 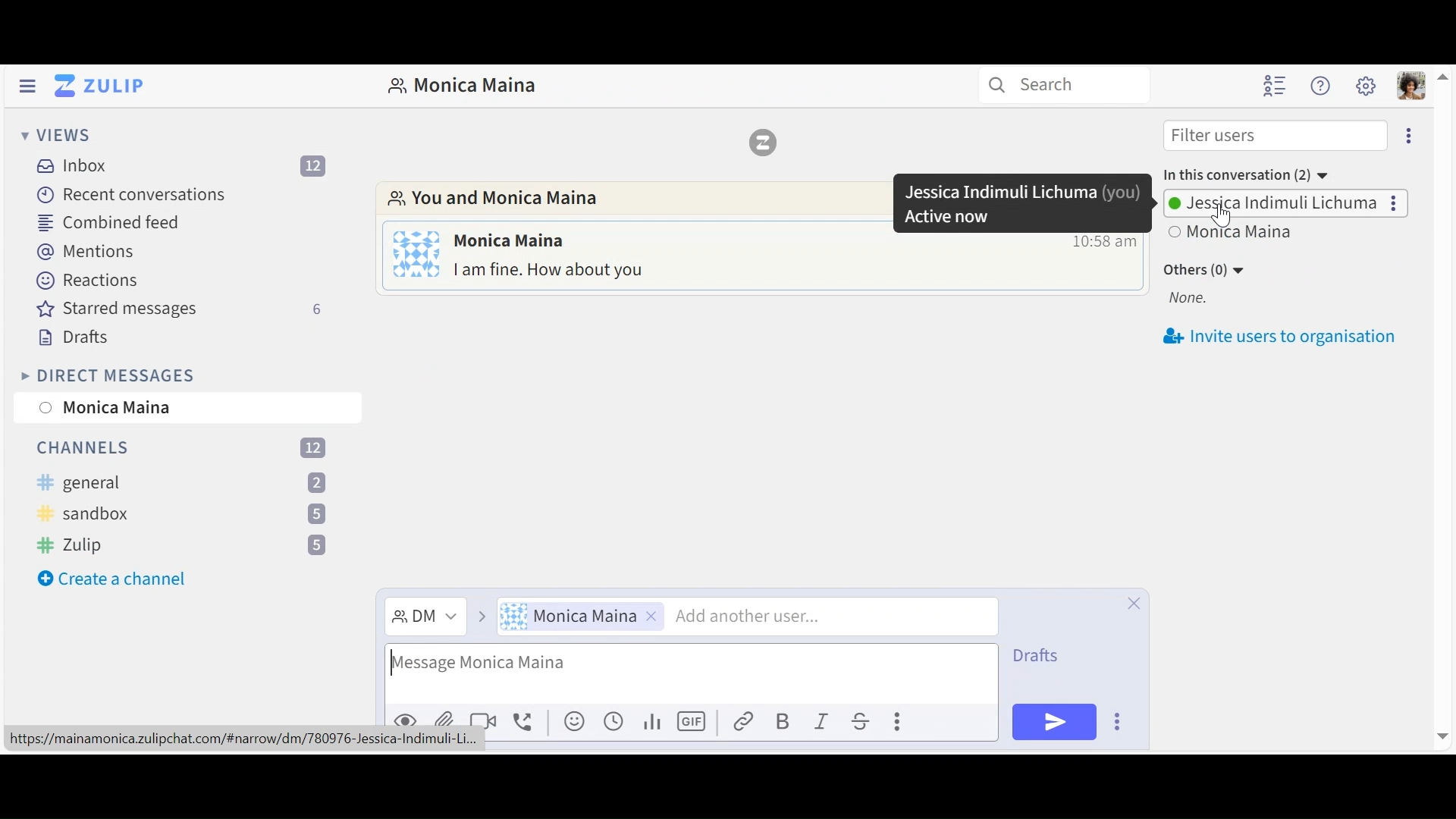 What do you see at coordinates (1285, 339) in the screenshot?
I see `invite` at bounding box center [1285, 339].